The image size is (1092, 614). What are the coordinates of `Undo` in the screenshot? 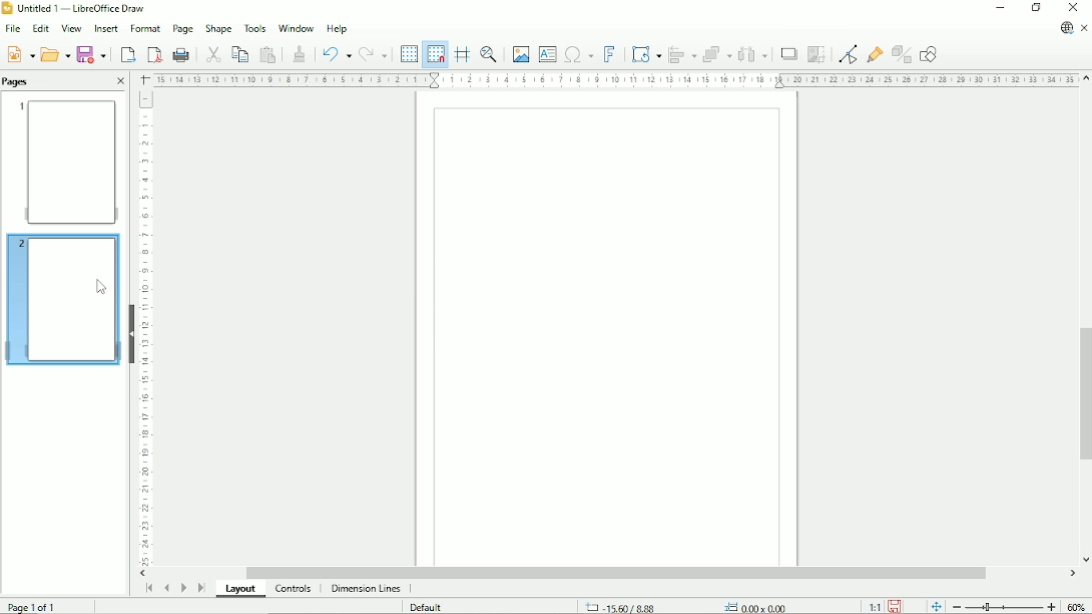 It's located at (334, 53).